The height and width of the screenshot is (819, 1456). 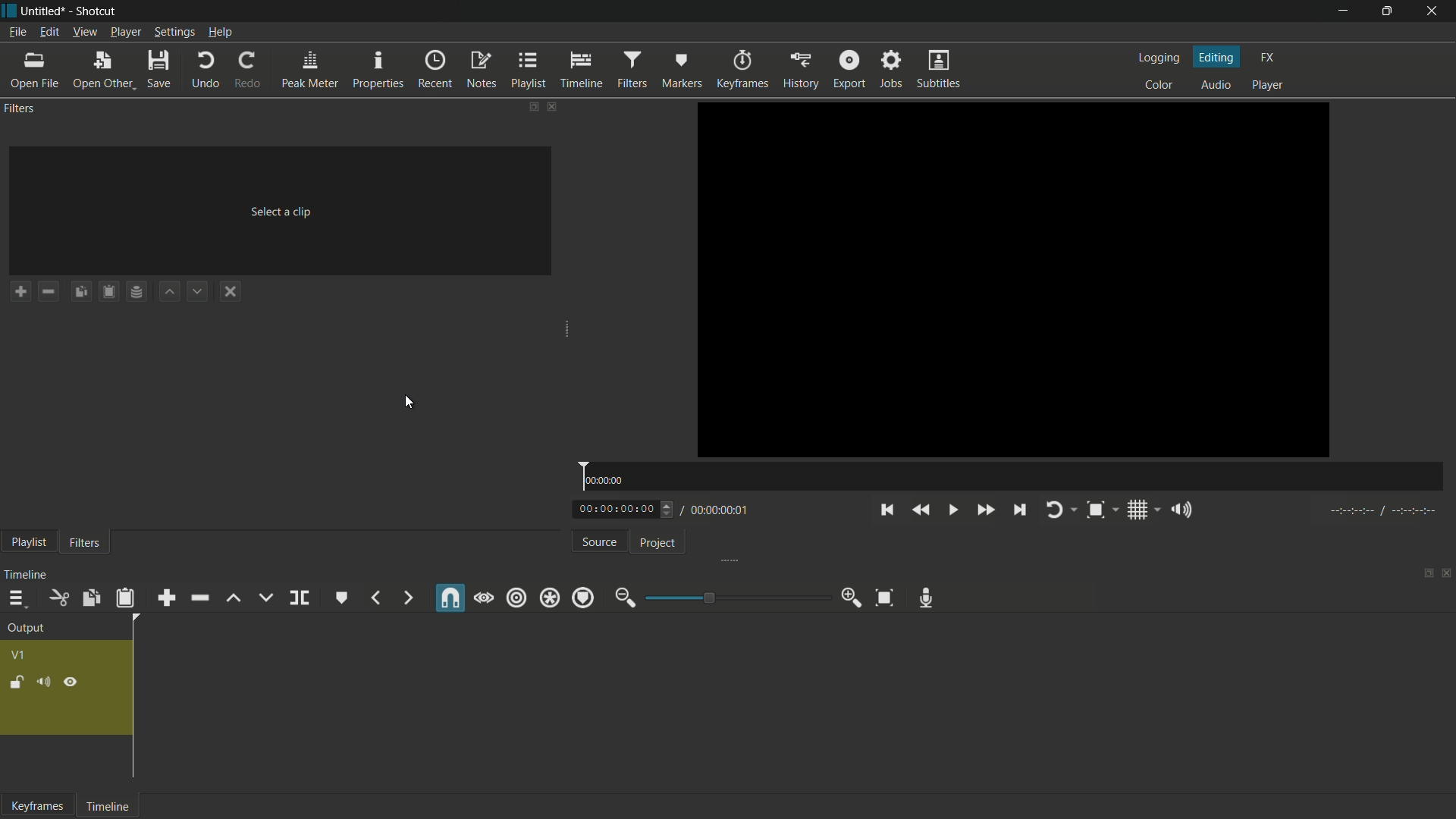 I want to click on zoom timeline to fit, so click(x=885, y=598).